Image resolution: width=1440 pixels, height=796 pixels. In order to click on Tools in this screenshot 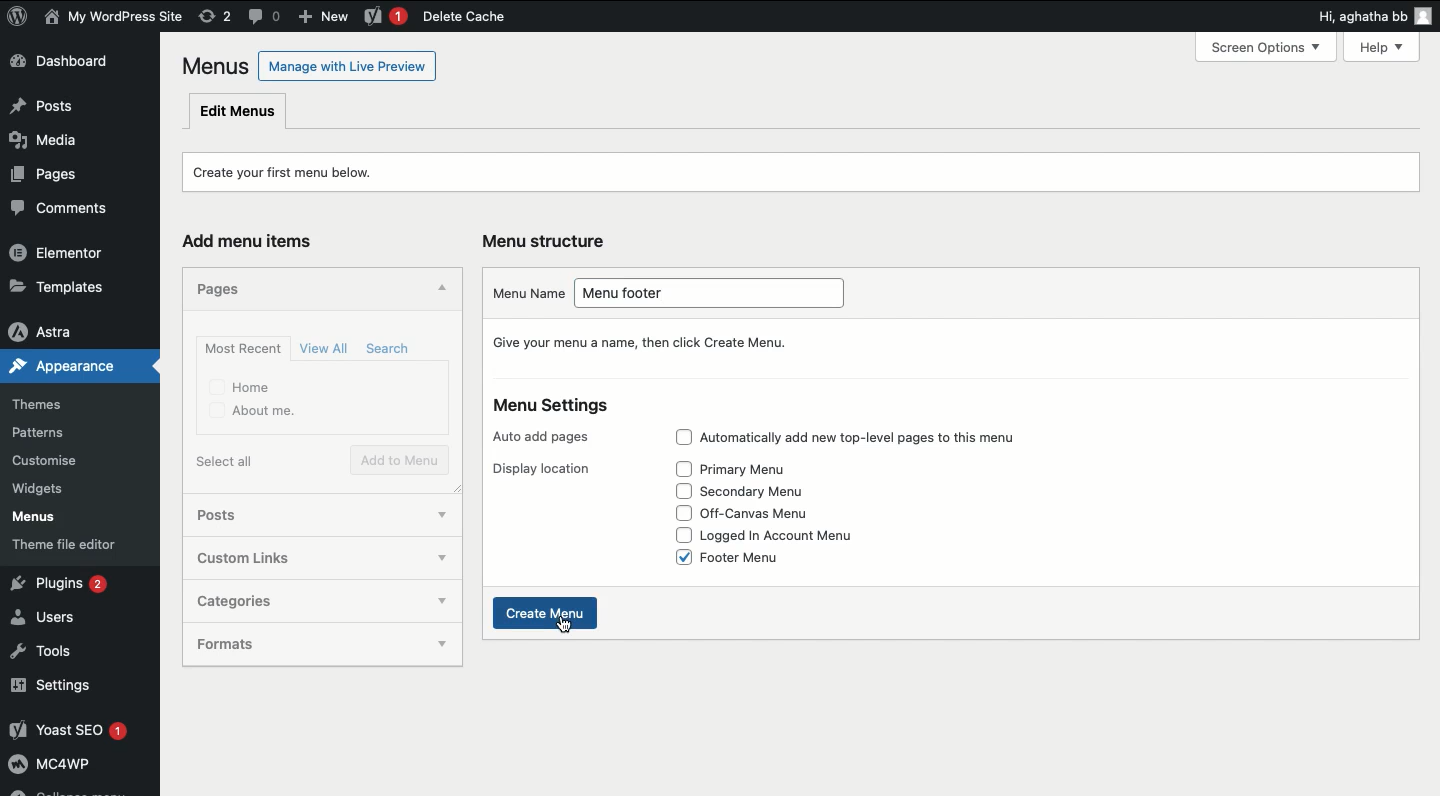, I will do `click(50, 652)`.